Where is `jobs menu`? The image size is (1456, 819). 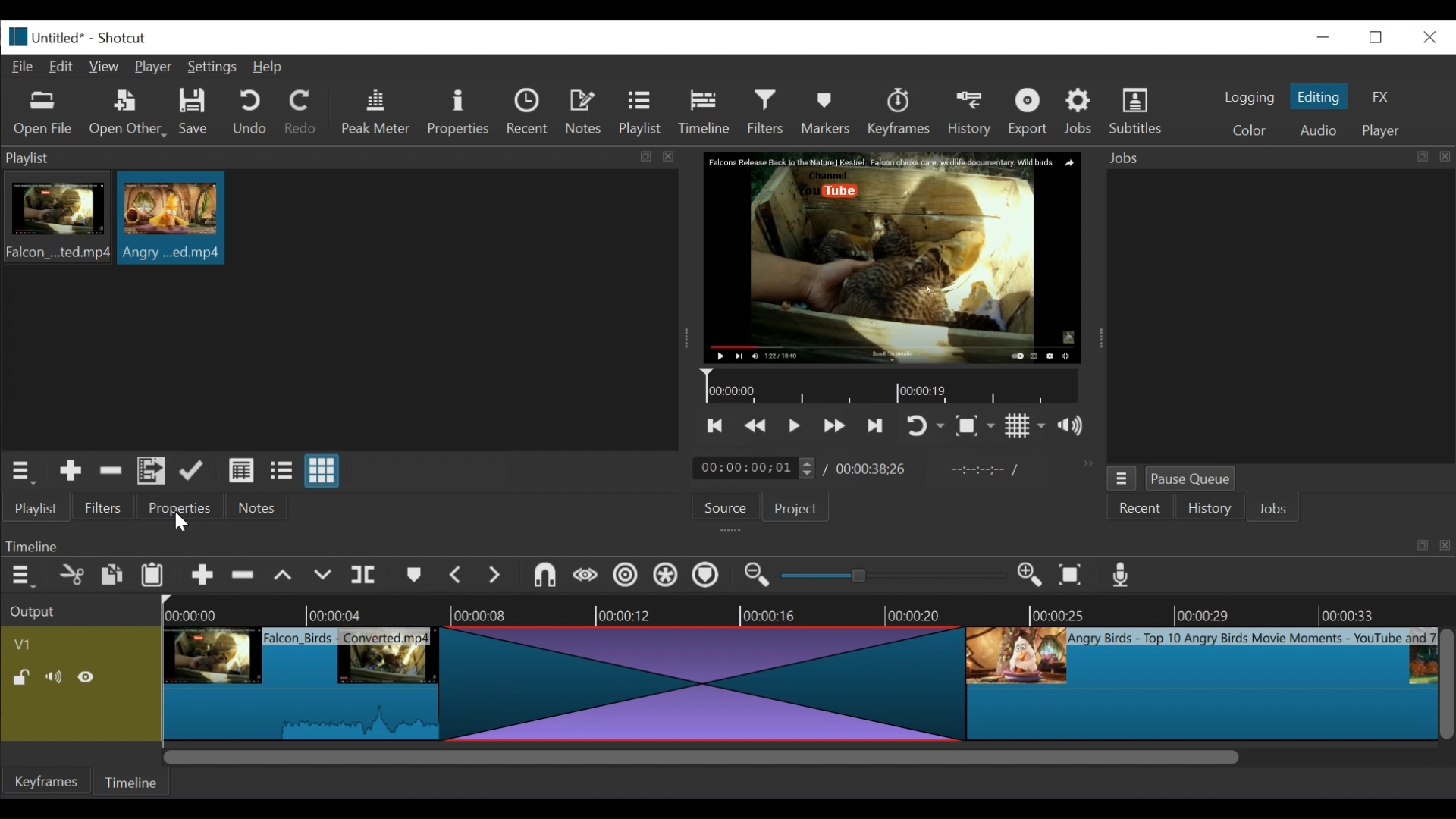
jobs menu is located at coordinates (1122, 476).